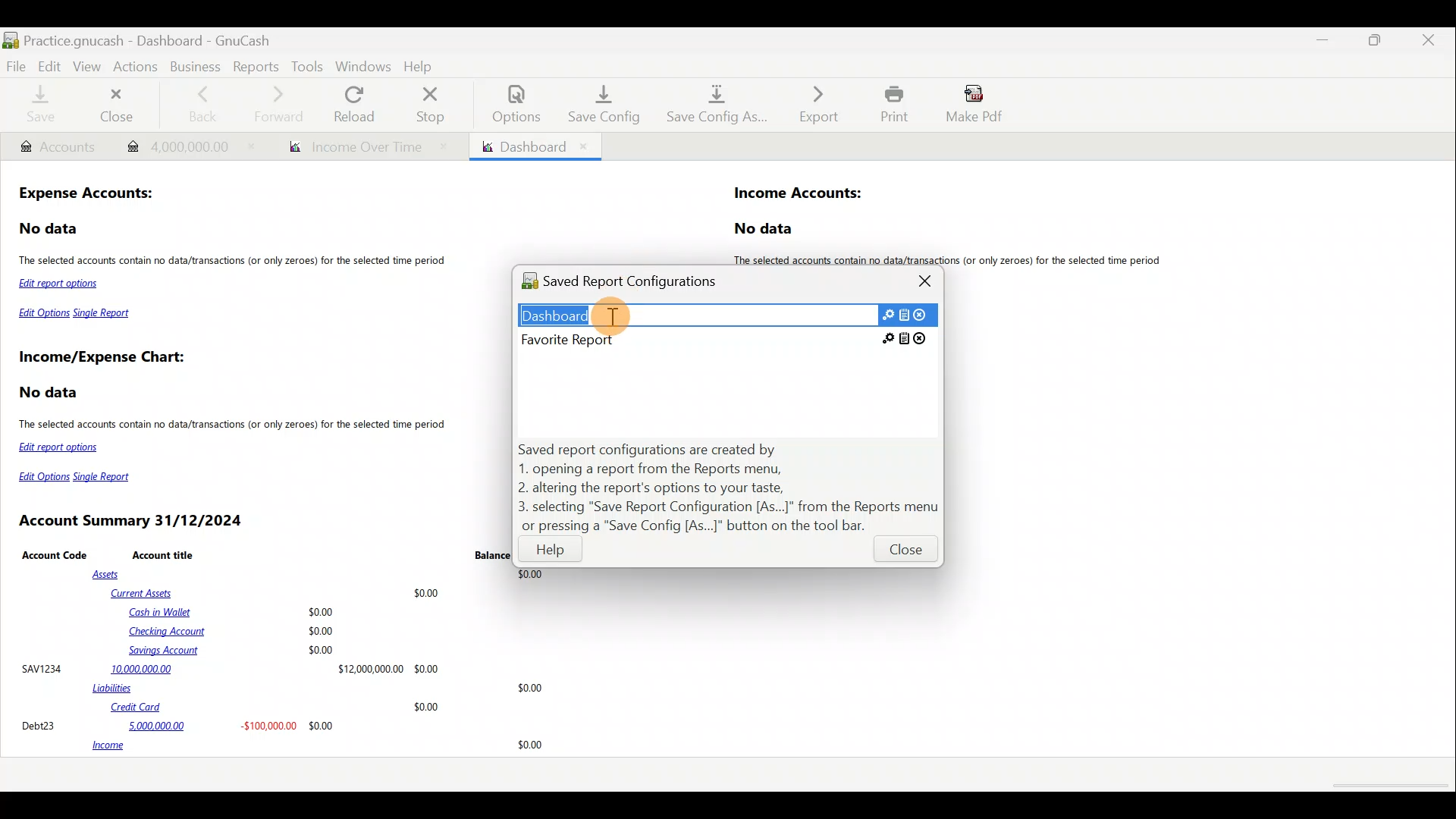 The image size is (1456, 819). I want to click on Reload, so click(357, 104).